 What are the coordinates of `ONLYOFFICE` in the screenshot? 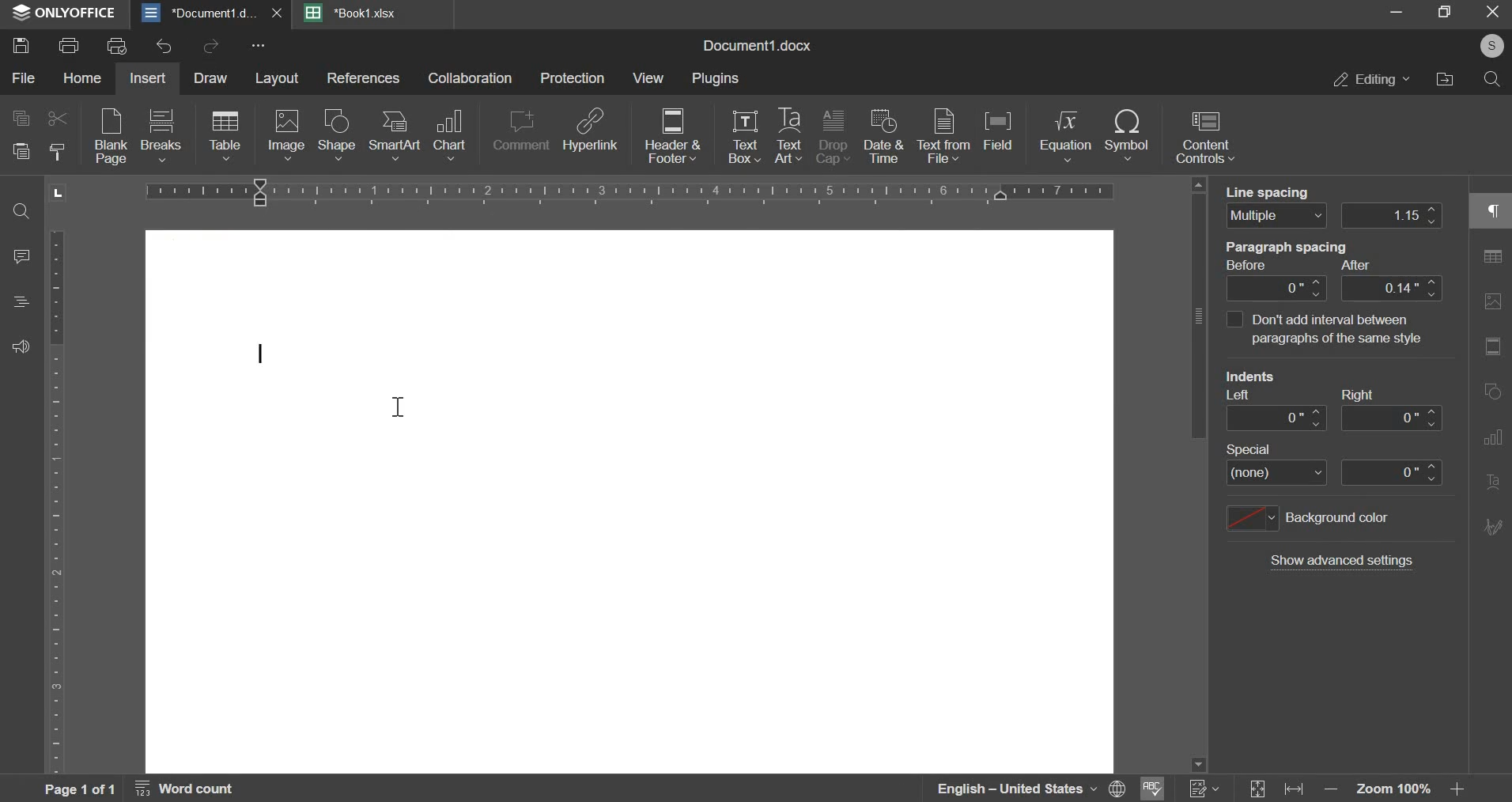 It's located at (66, 13).